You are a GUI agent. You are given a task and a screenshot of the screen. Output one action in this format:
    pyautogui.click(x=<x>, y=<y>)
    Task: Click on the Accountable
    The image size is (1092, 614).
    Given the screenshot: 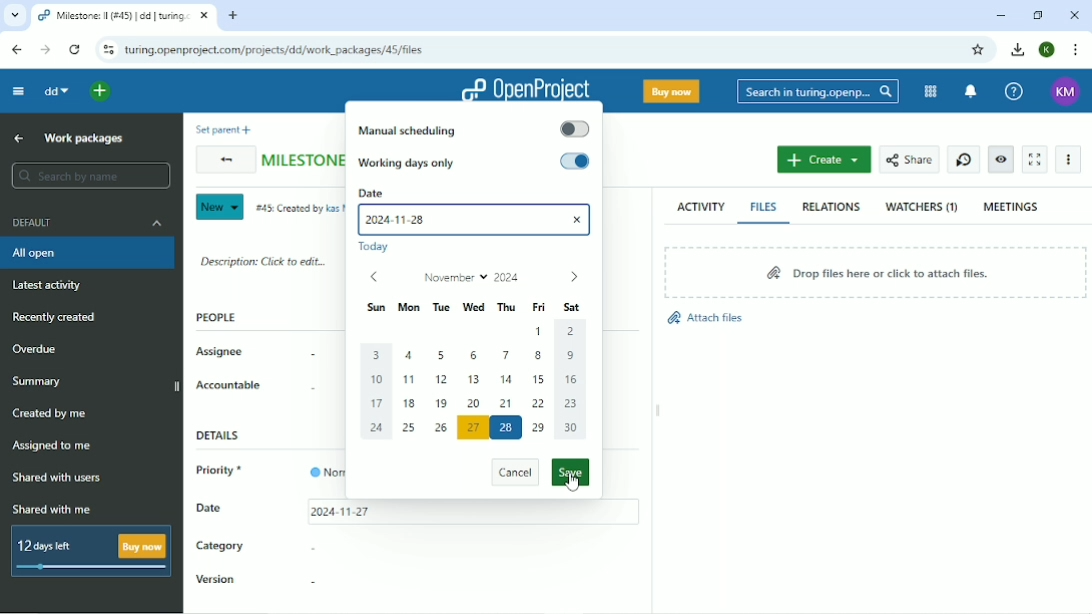 What is the action you would take?
    pyautogui.click(x=229, y=385)
    